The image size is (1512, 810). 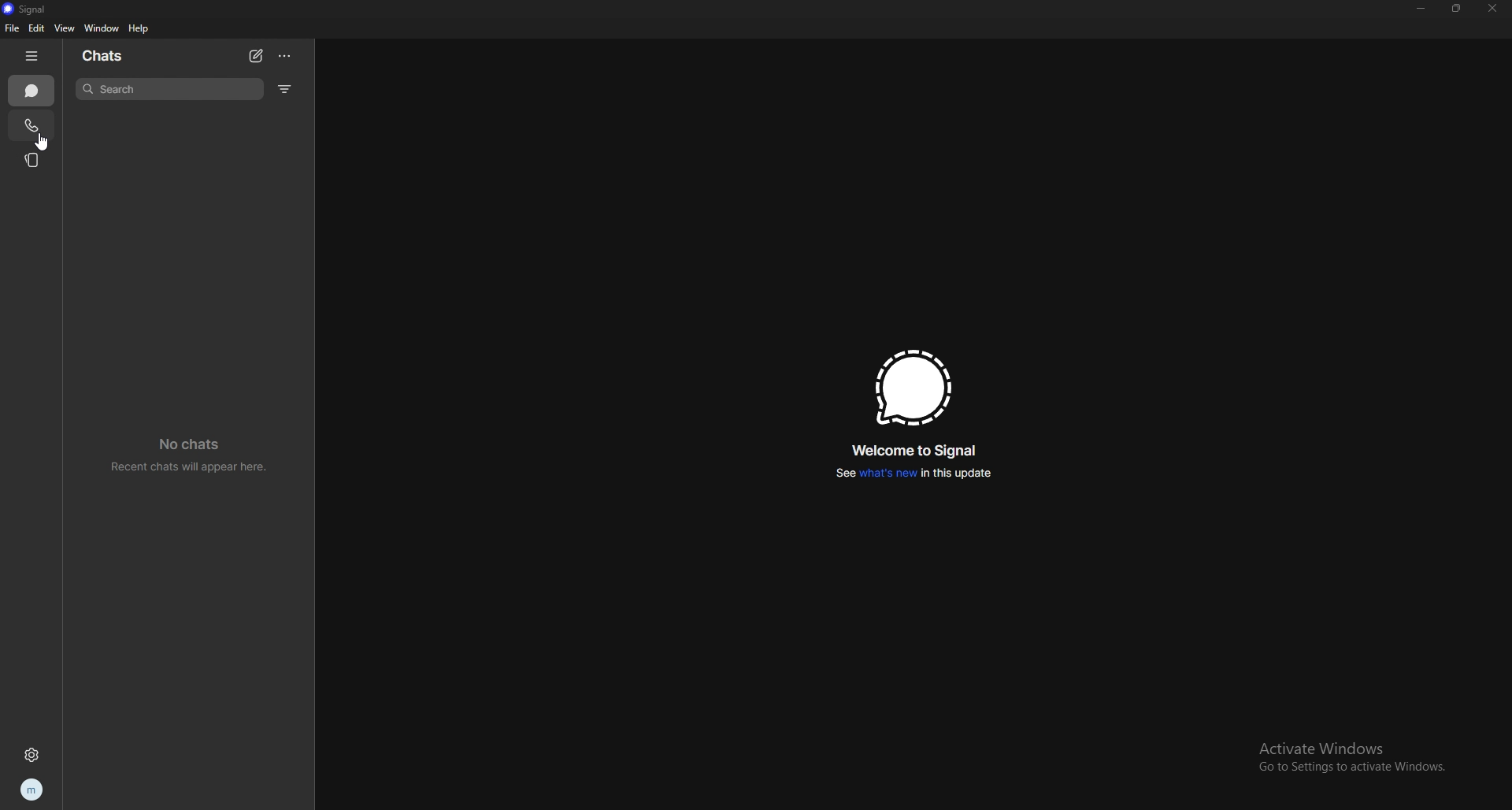 I want to click on window, so click(x=105, y=28).